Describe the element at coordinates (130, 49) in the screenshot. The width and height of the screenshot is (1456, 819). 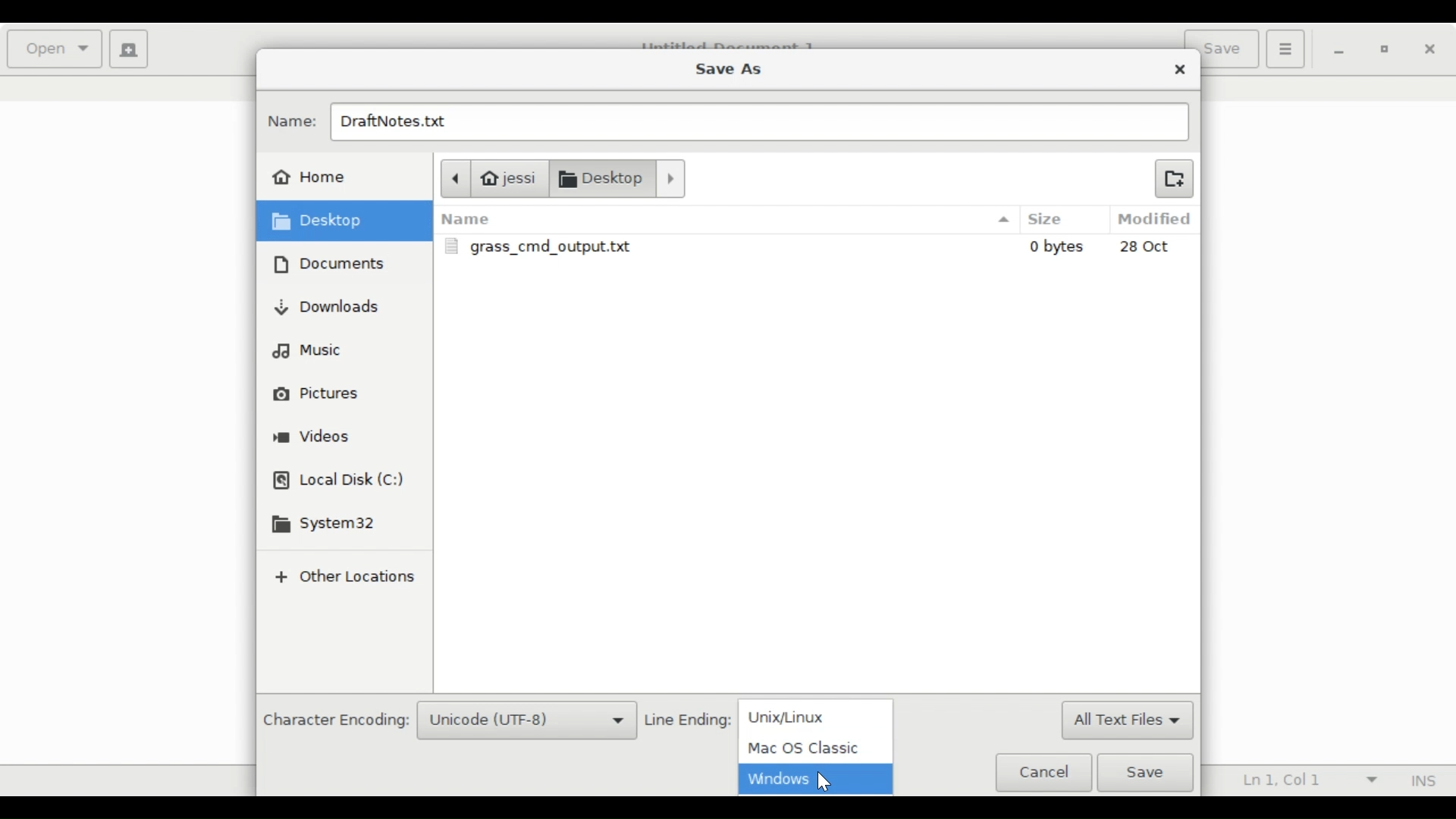
I see `Create a new document` at that location.